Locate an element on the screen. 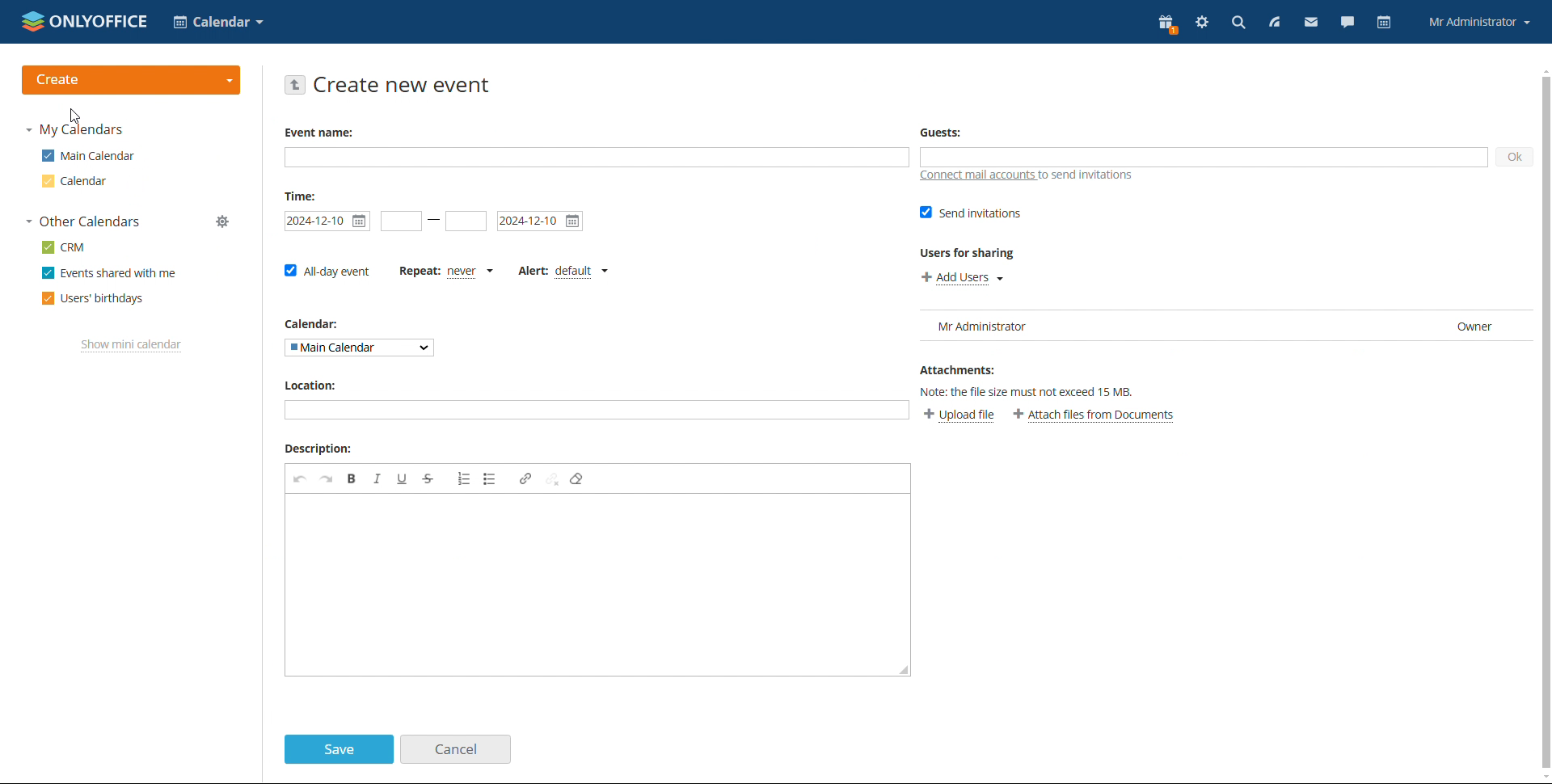  connect mail accounts is located at coordinates (1027, 176).